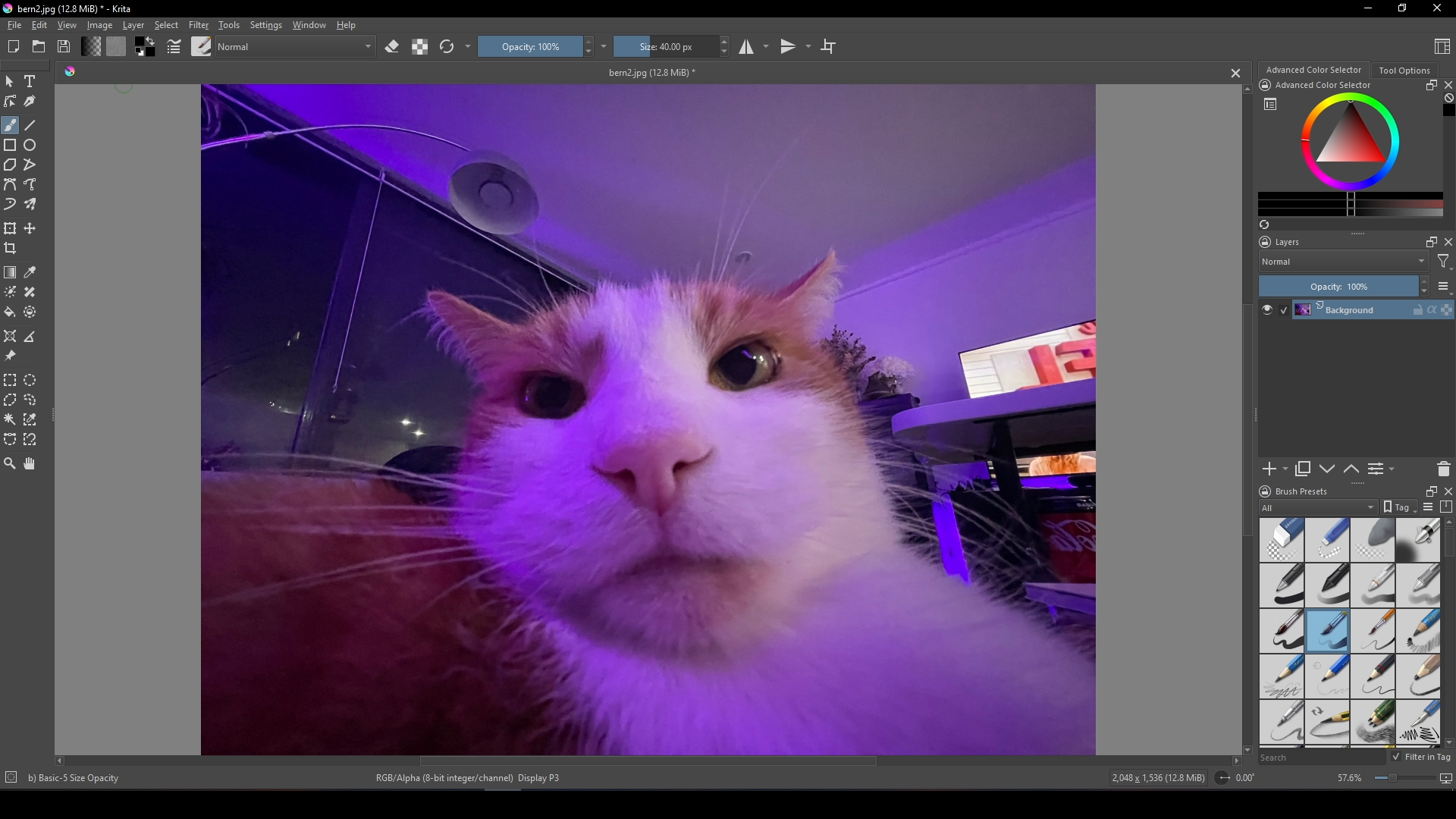  I want to click on Select shapes tool, so click(10, 82).